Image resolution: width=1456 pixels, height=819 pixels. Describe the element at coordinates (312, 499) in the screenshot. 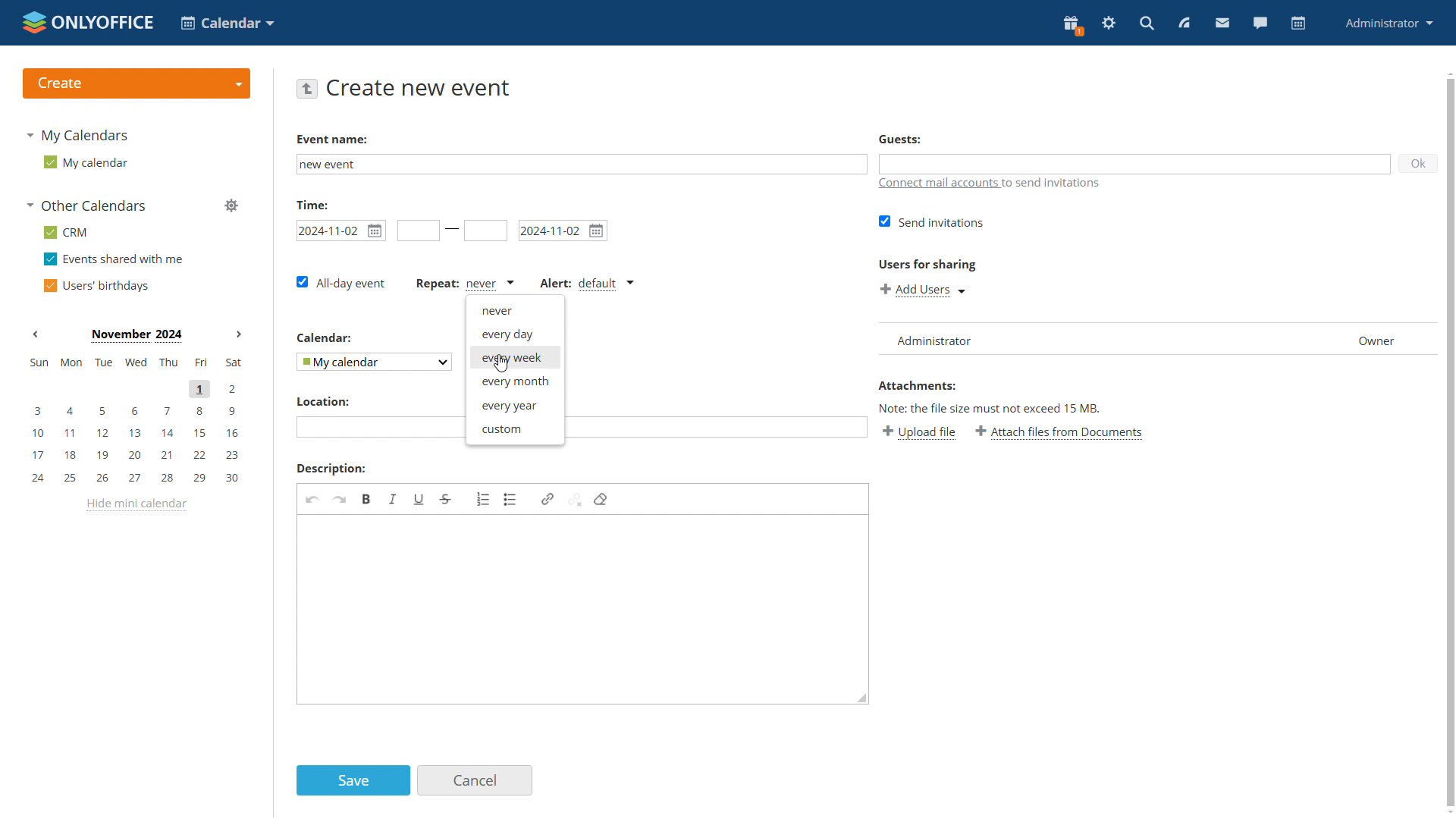

I see `undo` at that location.